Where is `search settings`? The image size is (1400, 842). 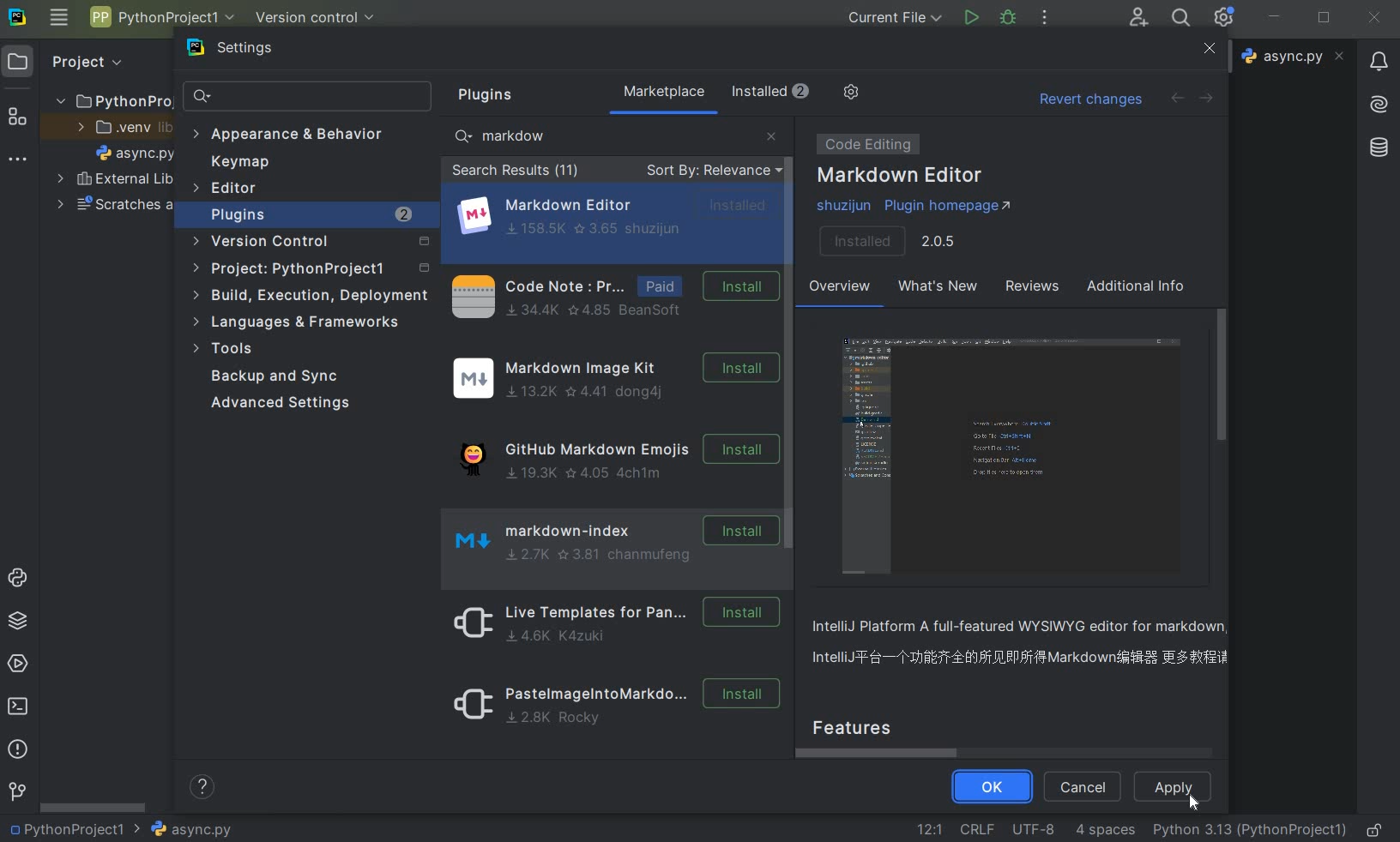
search settings is located at coordinates (309, 97).